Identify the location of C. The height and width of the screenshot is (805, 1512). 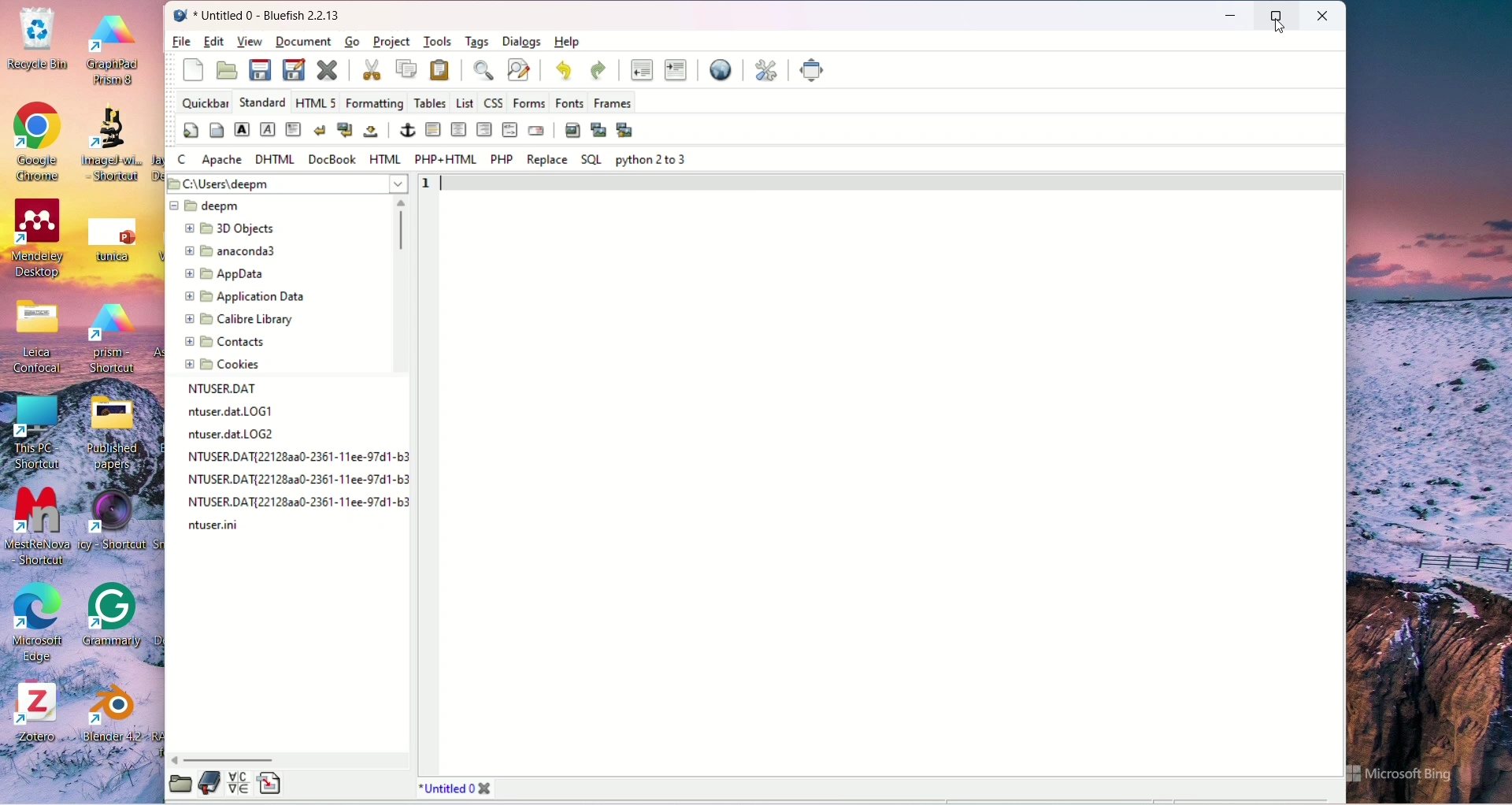
(185, 158).